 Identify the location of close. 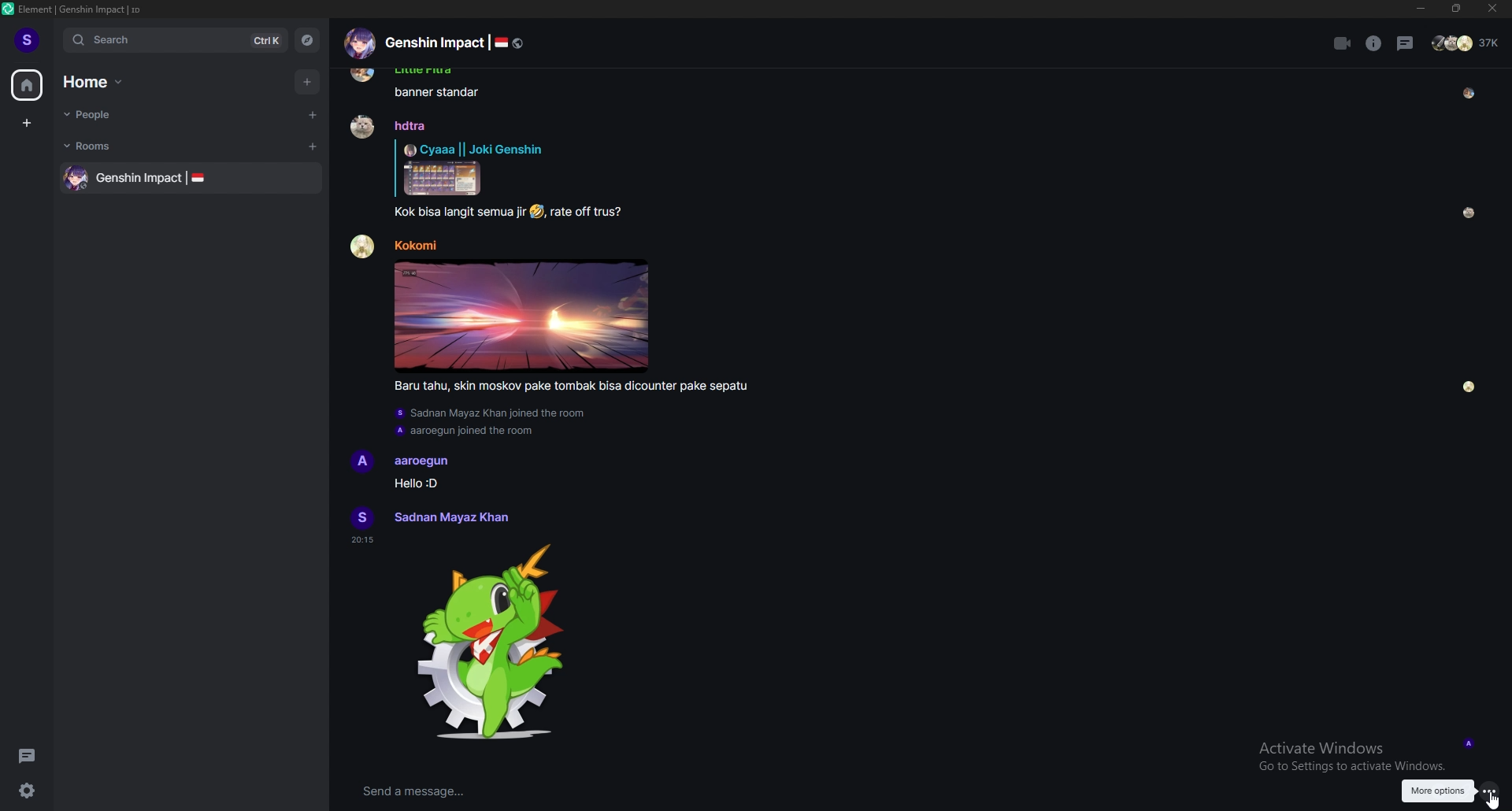
(1489, 9).